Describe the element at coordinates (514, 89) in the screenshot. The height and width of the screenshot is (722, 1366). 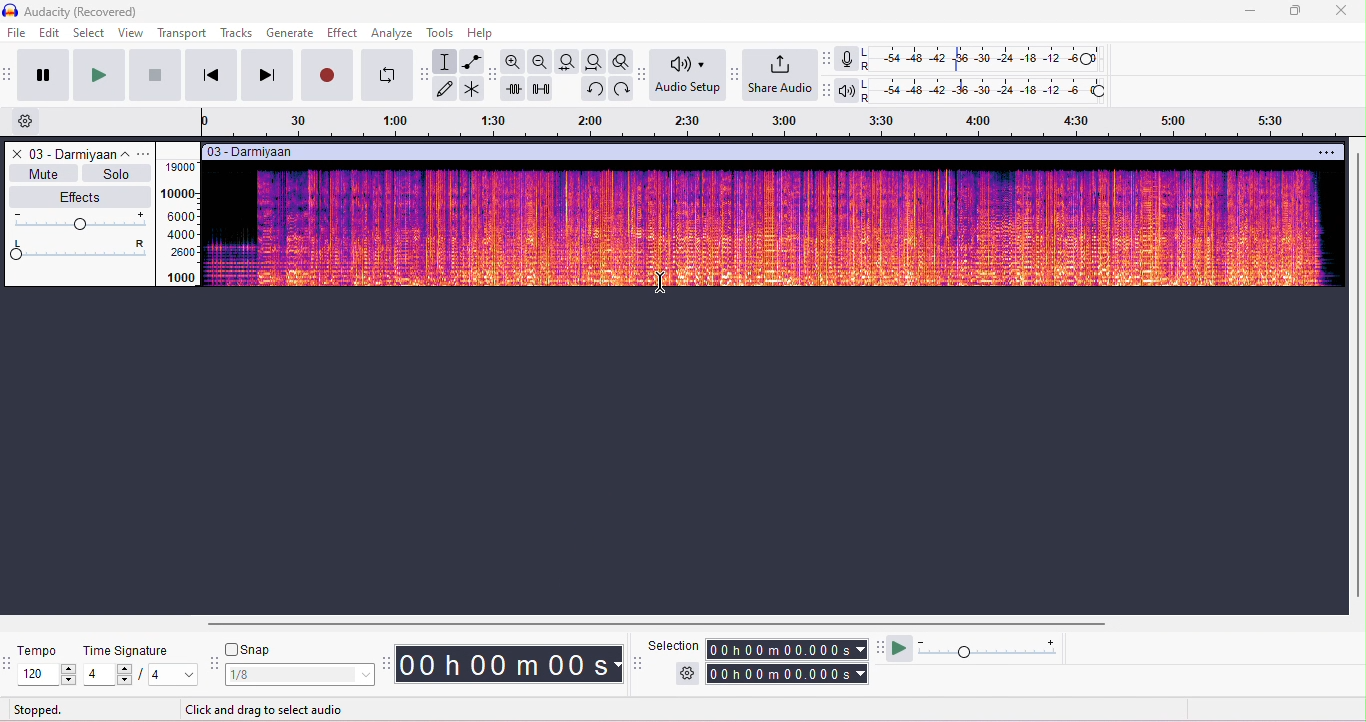
I see `trim outside selection` at that location.